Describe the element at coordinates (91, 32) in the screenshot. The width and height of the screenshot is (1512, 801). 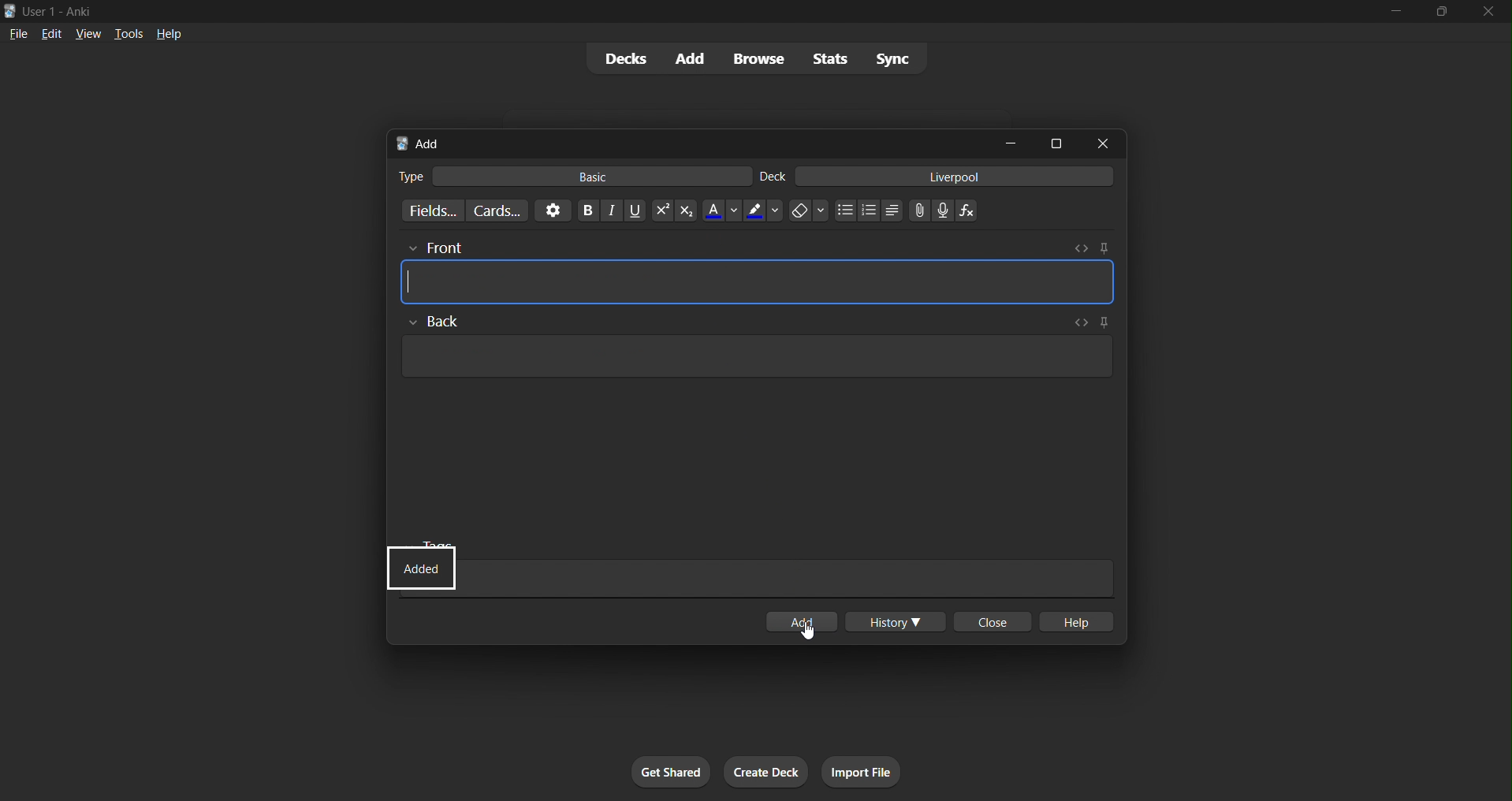
I see `view` at that location.